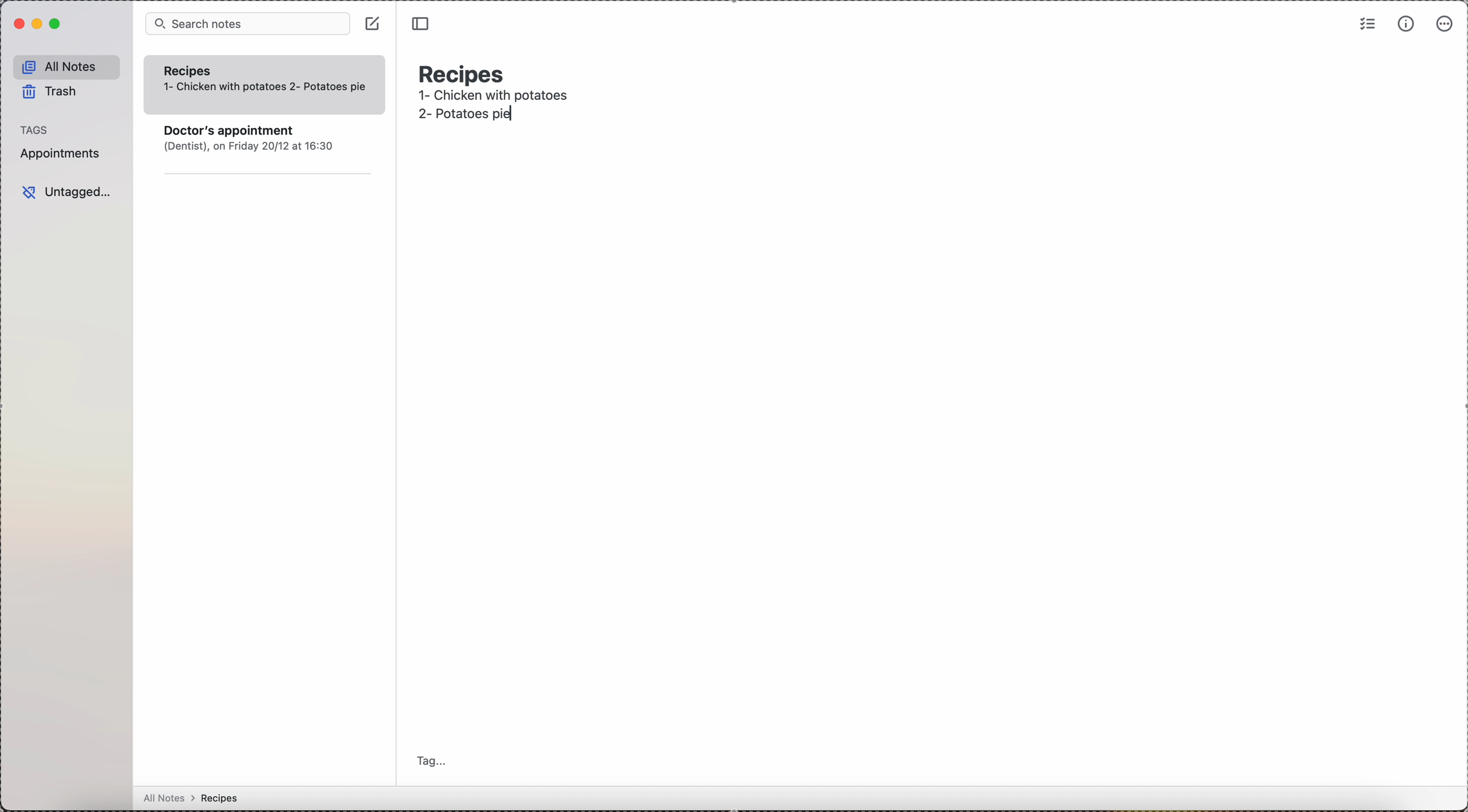 This screenshot has width=1468, height=812. Describe the element at coordinates (1366, 25) in the screenshot. I see `check list` at that location.